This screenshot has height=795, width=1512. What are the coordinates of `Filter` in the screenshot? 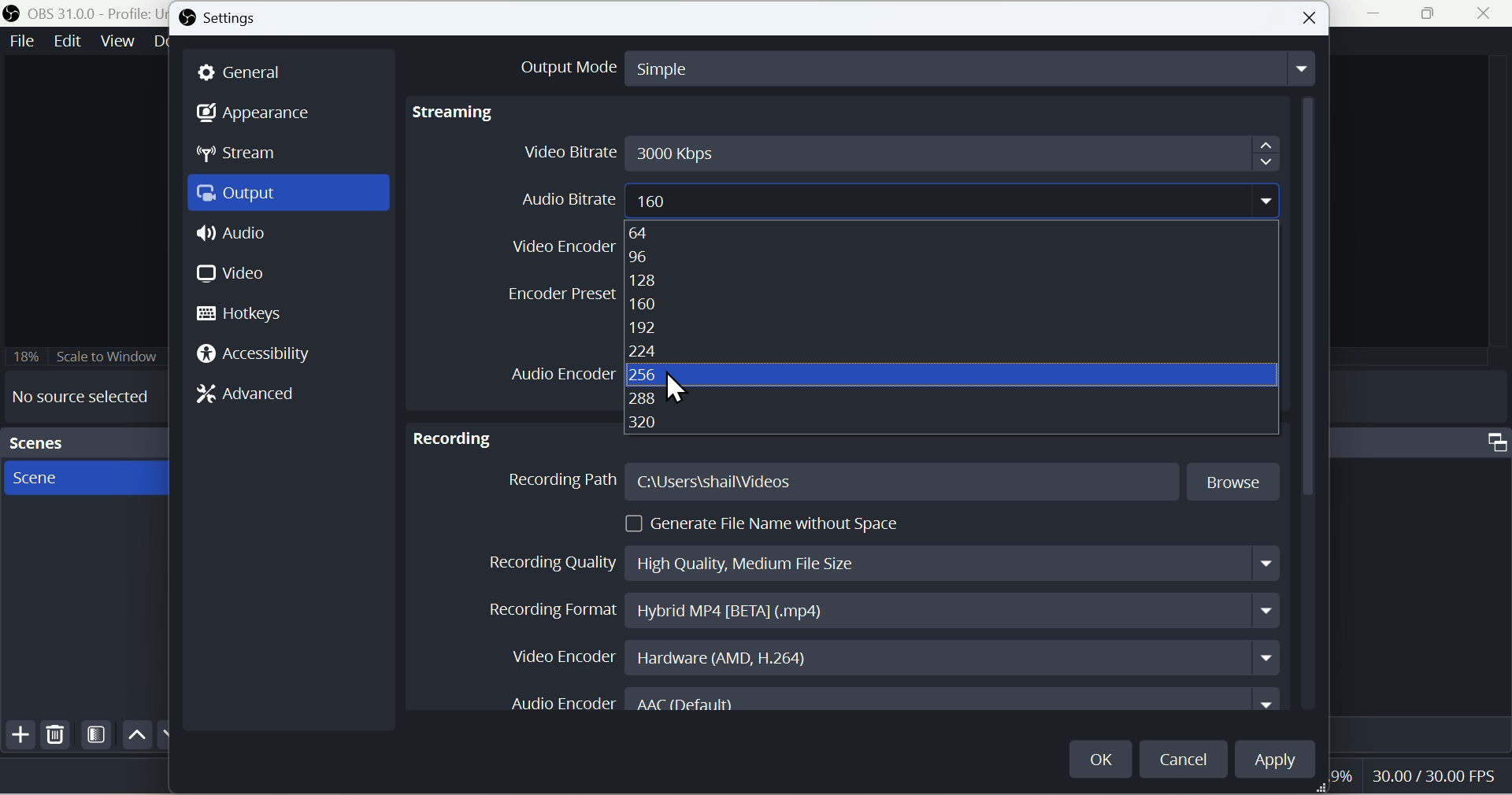 It's located at (97, 738).